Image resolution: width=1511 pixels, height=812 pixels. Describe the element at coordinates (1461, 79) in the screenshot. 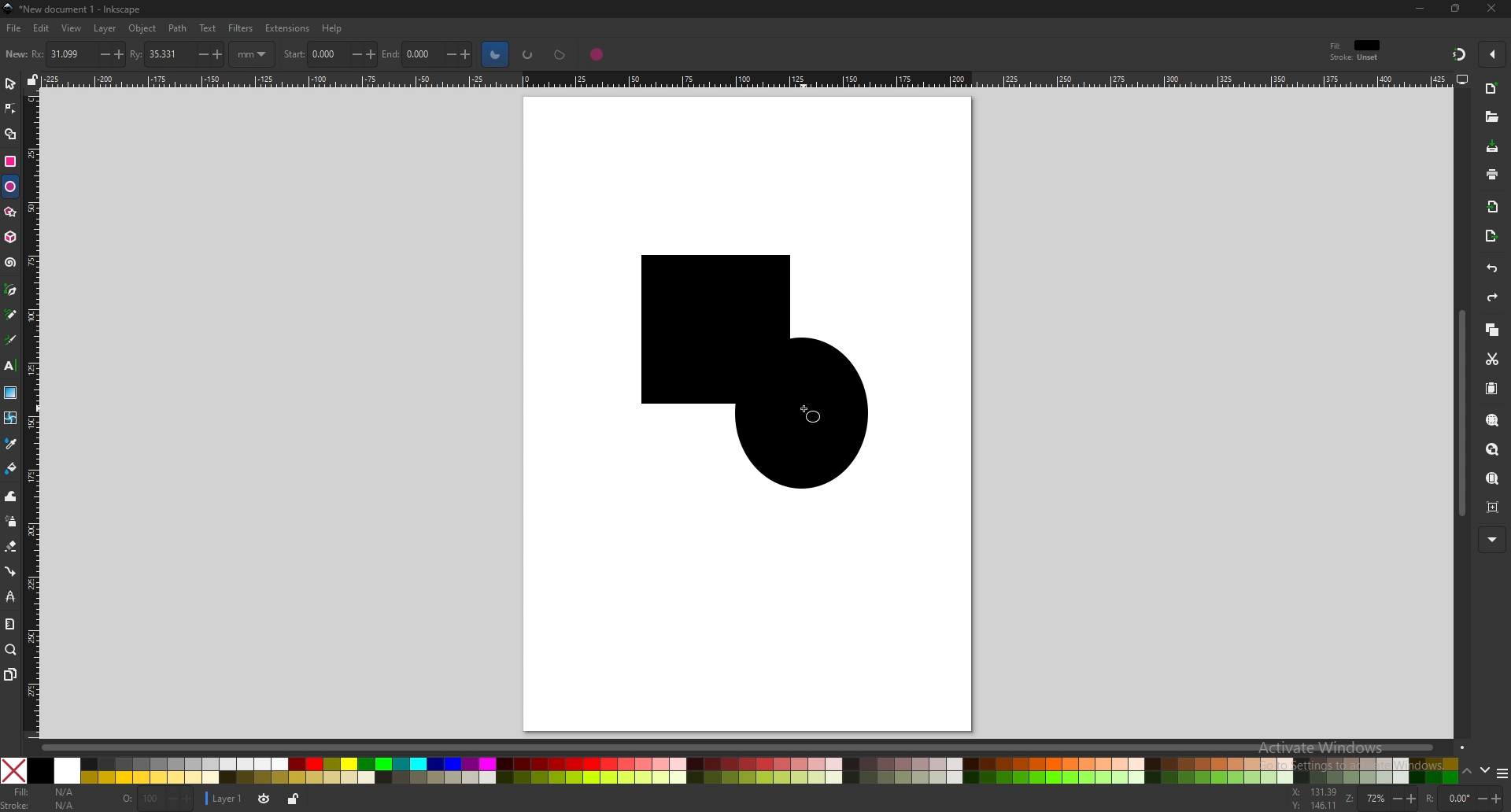

I see `display options` at that location.